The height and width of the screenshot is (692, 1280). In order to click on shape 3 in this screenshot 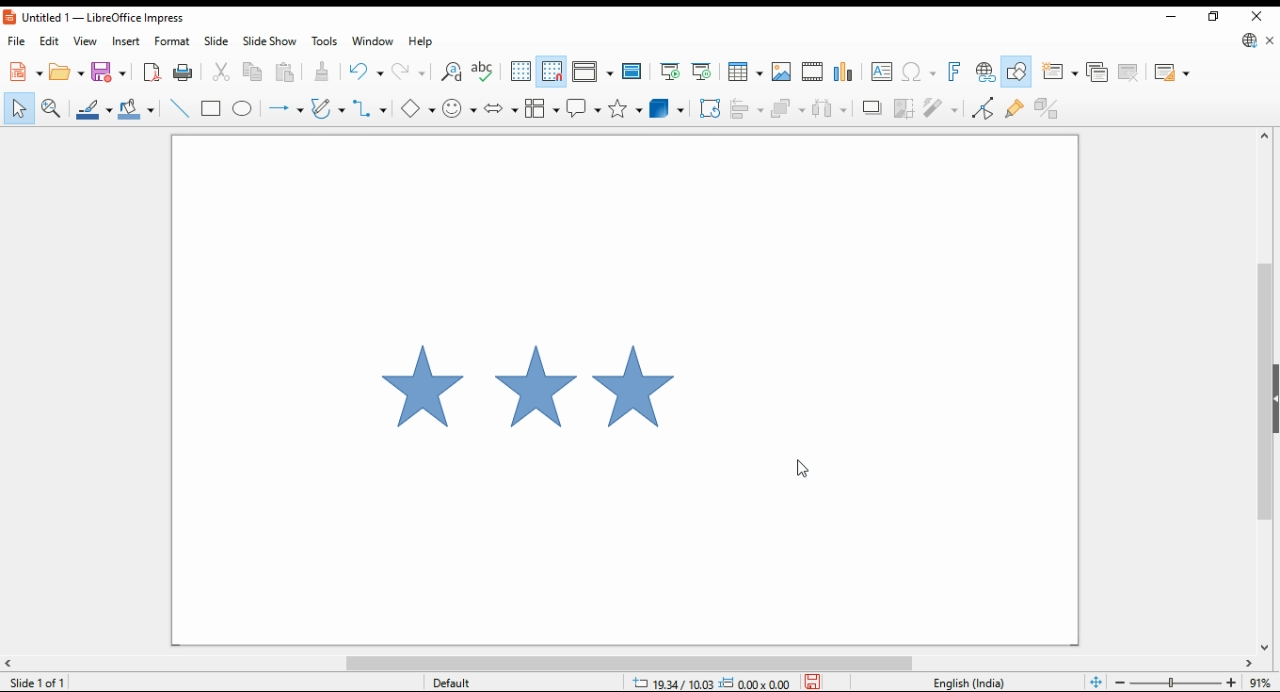, I will do `click(635, 393)`.